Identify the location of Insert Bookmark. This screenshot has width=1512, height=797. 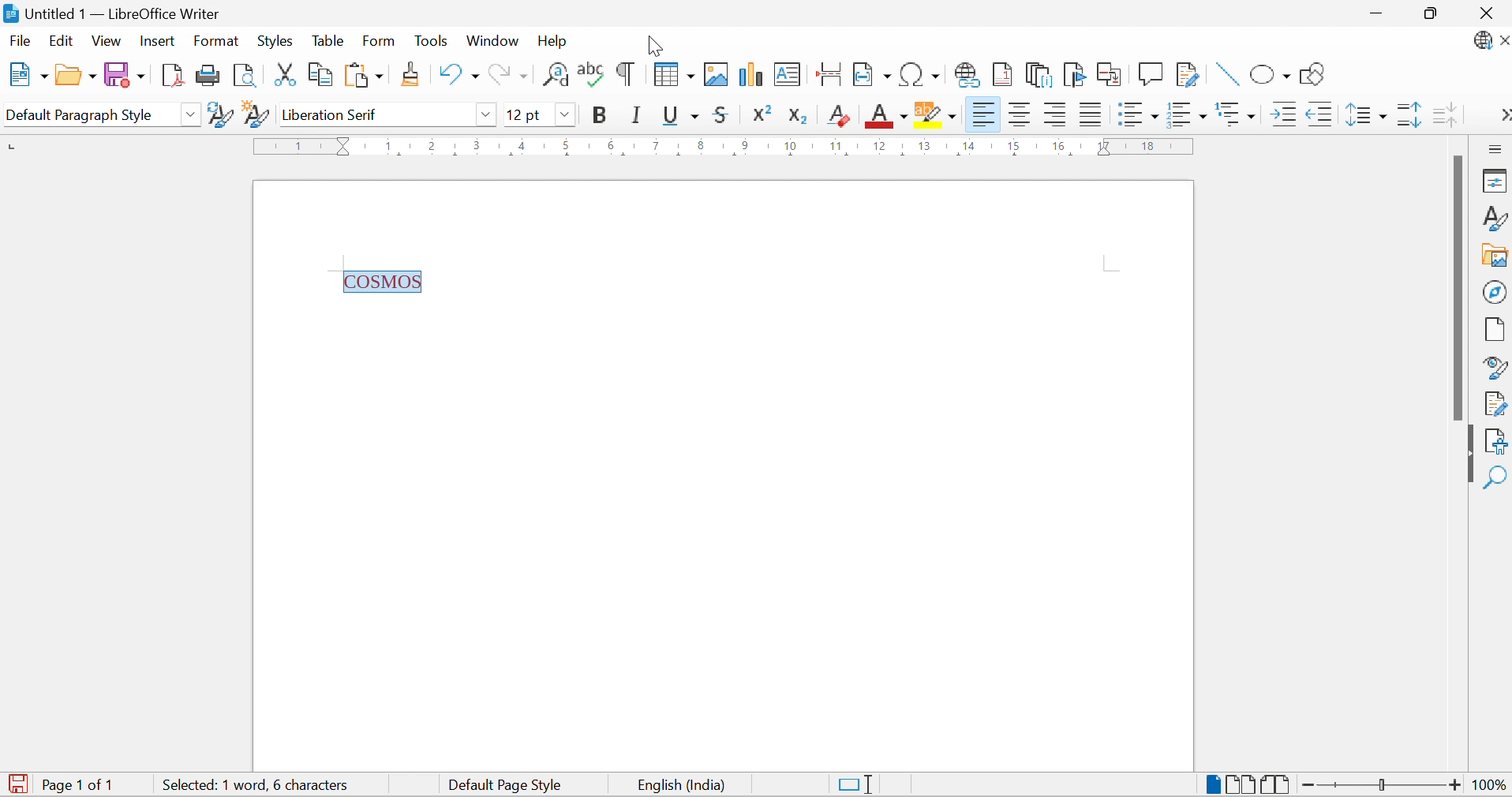
(1074, 74).